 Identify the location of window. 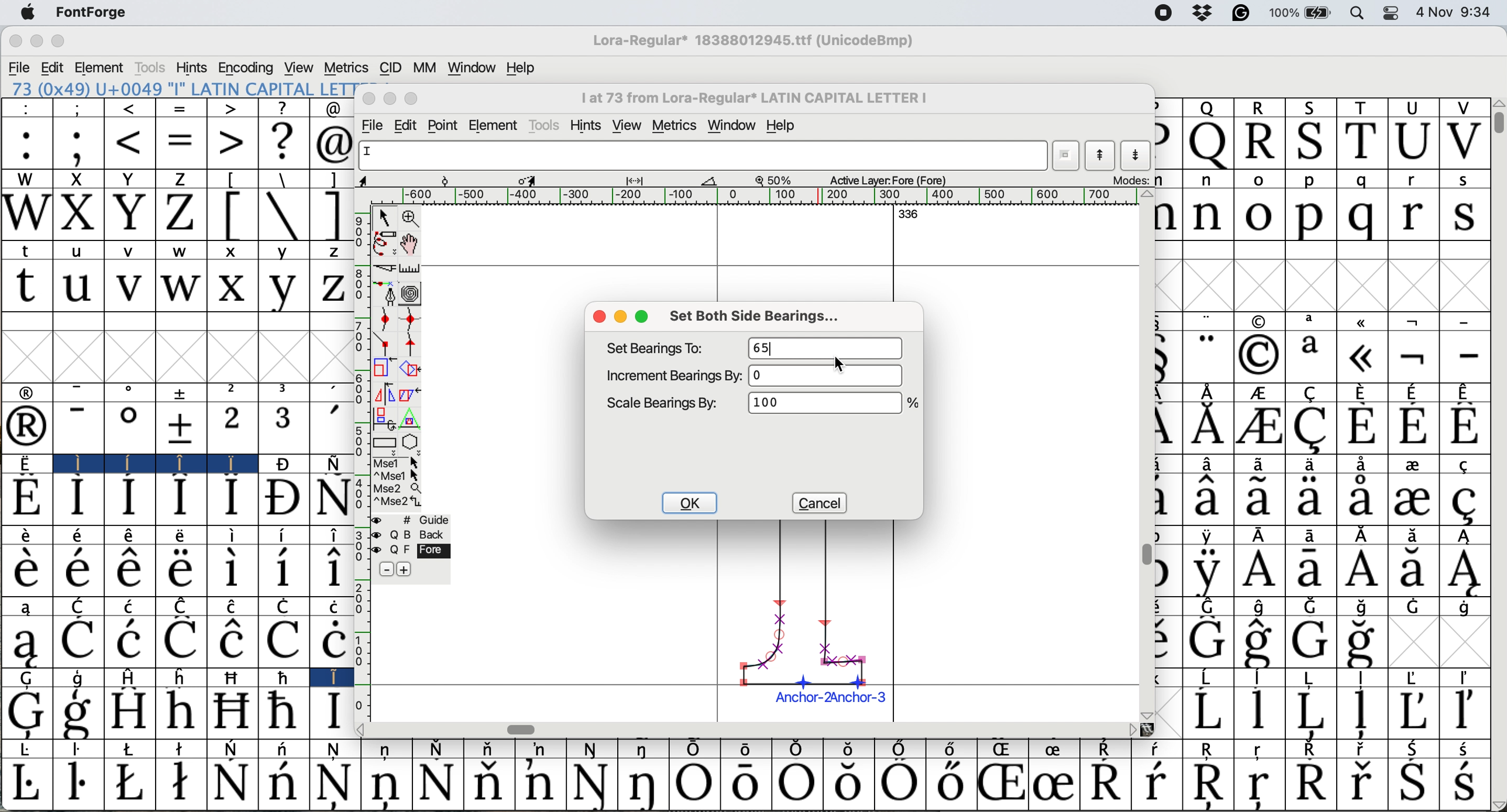
(733, 125).